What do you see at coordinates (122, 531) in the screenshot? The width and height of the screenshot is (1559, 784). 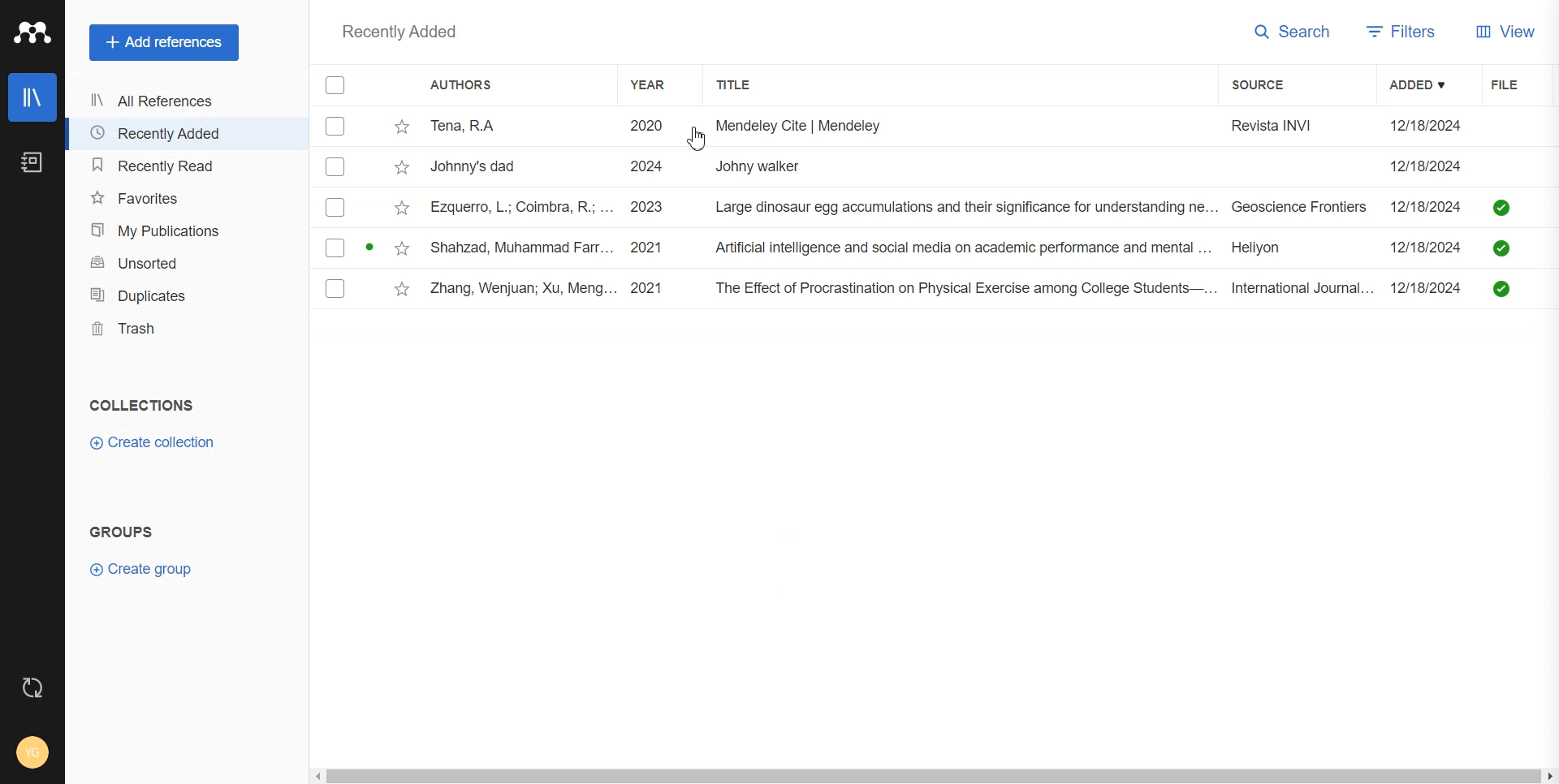 I see `GROUPS` at bounding box center [122, 531].